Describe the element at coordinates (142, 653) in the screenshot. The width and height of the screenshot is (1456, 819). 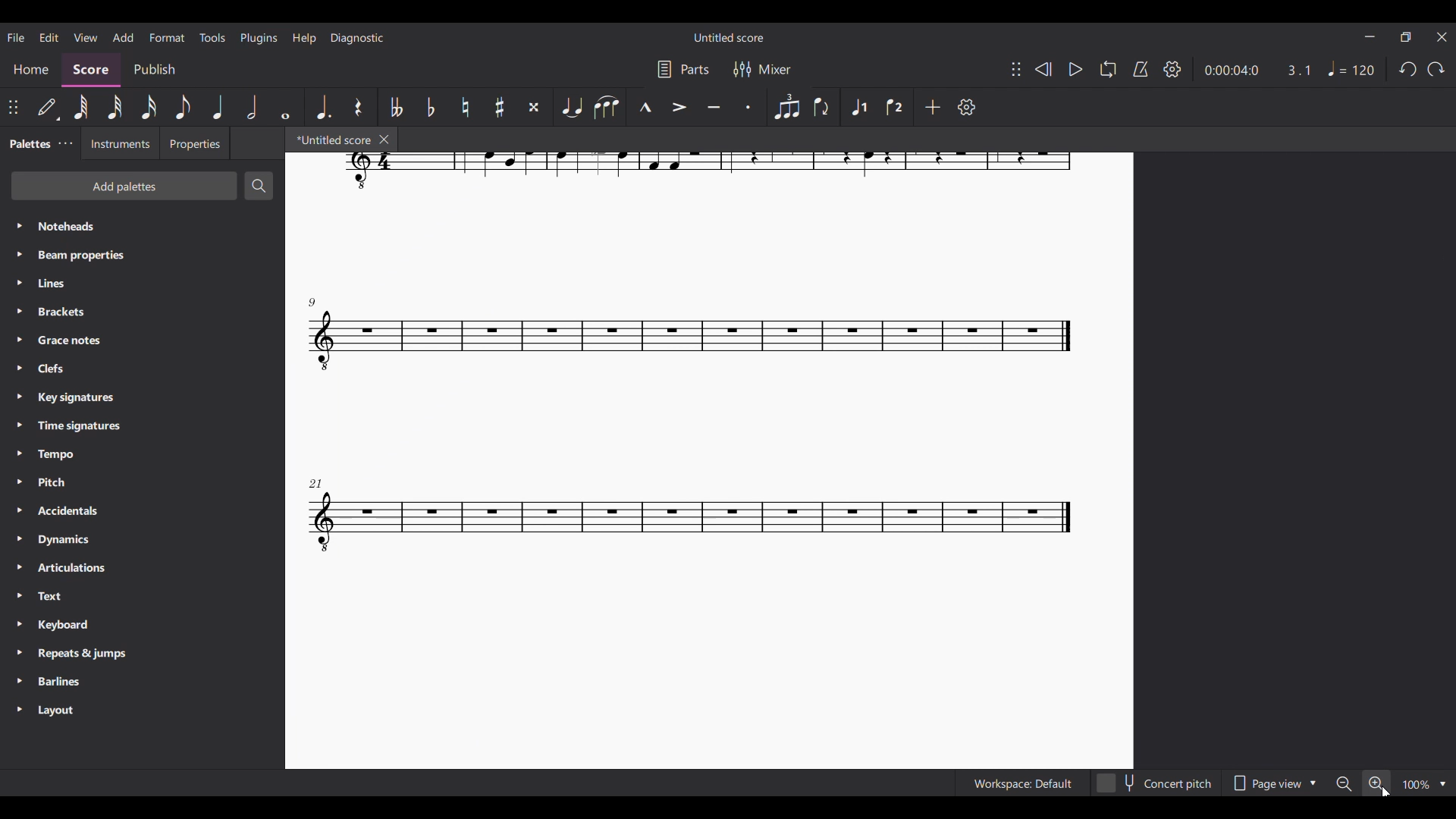
I see `Repeats & jumps` at that location.